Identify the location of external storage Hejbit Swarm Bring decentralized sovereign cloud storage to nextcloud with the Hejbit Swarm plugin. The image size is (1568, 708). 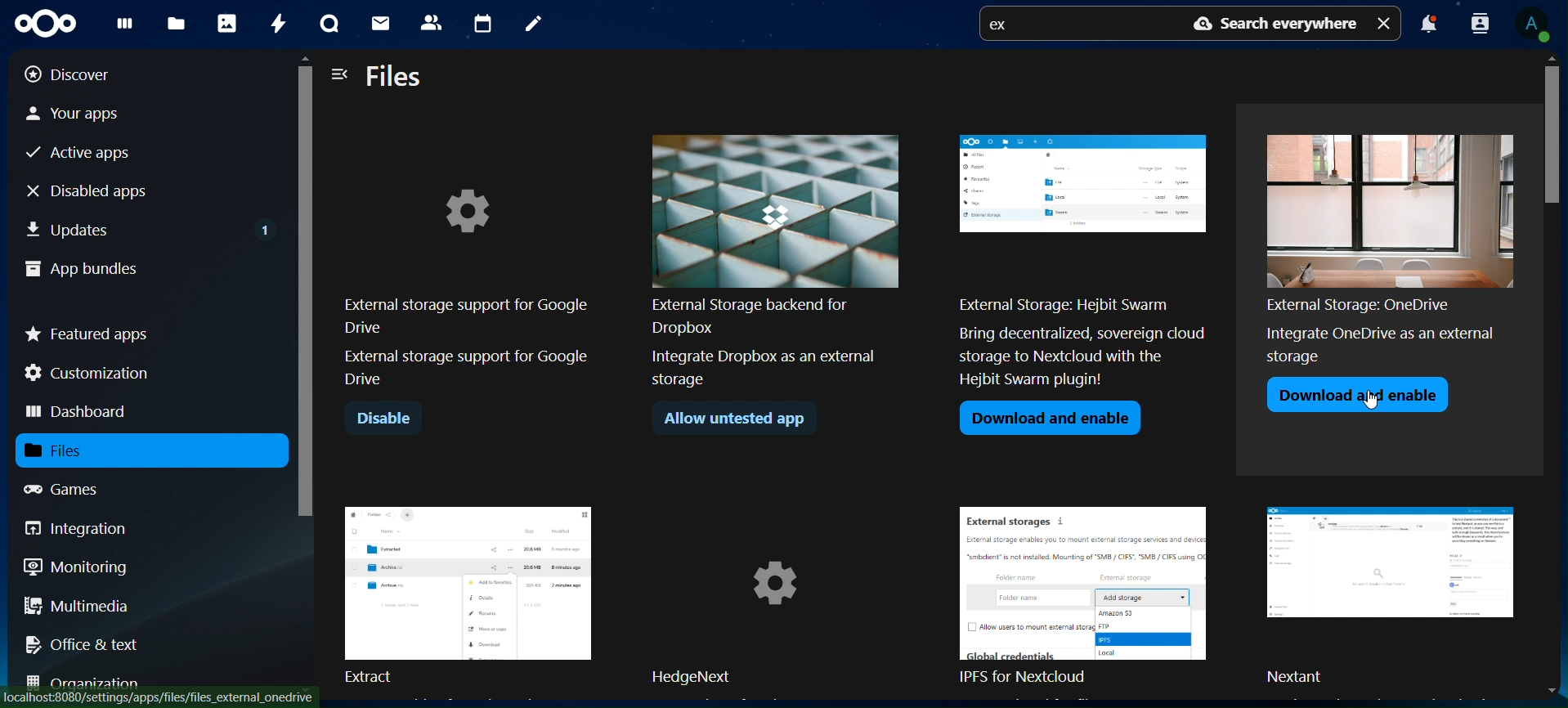
(1083, 263).